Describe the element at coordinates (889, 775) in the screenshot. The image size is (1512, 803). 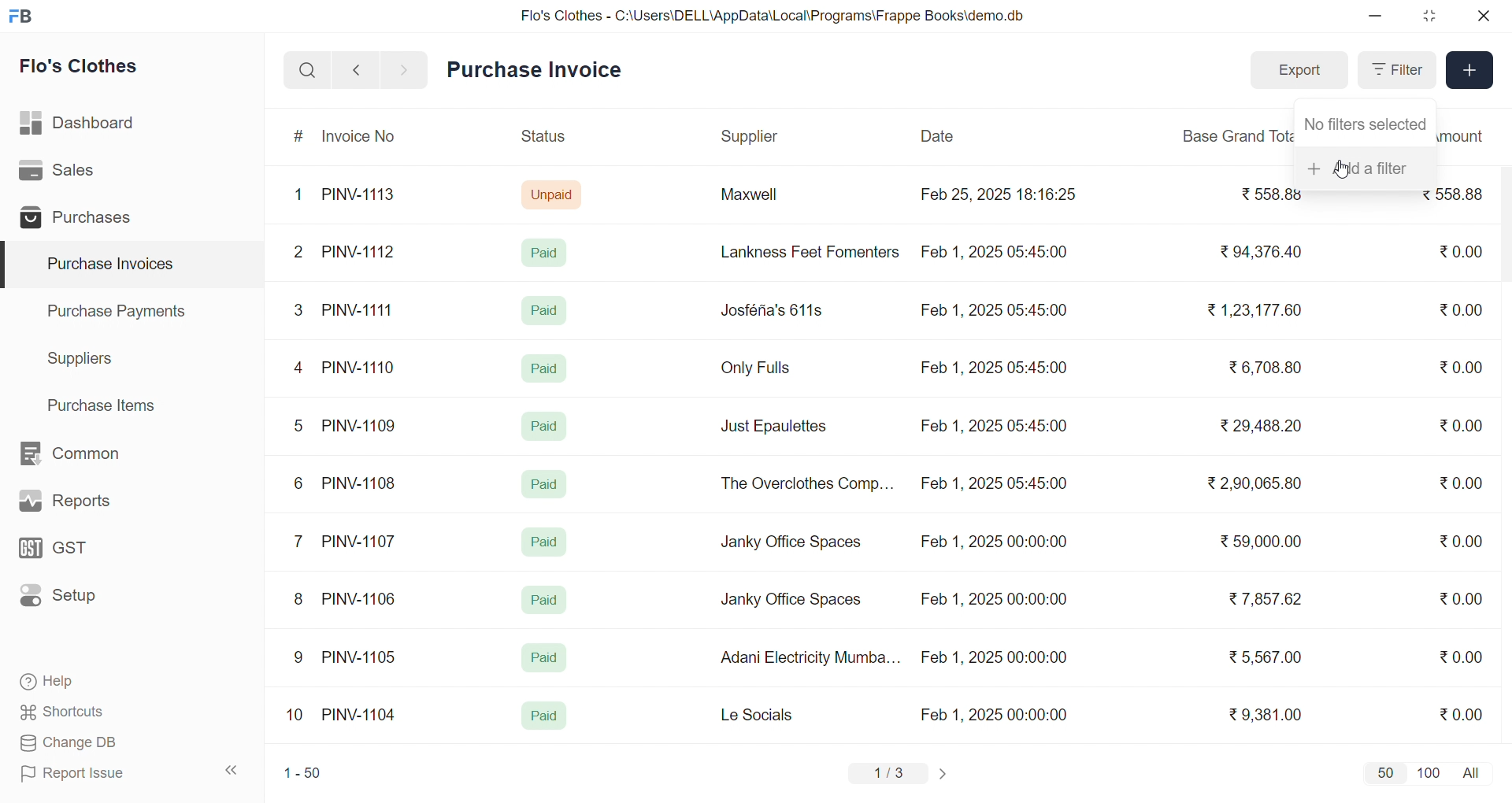
I see `1/3` at that location.